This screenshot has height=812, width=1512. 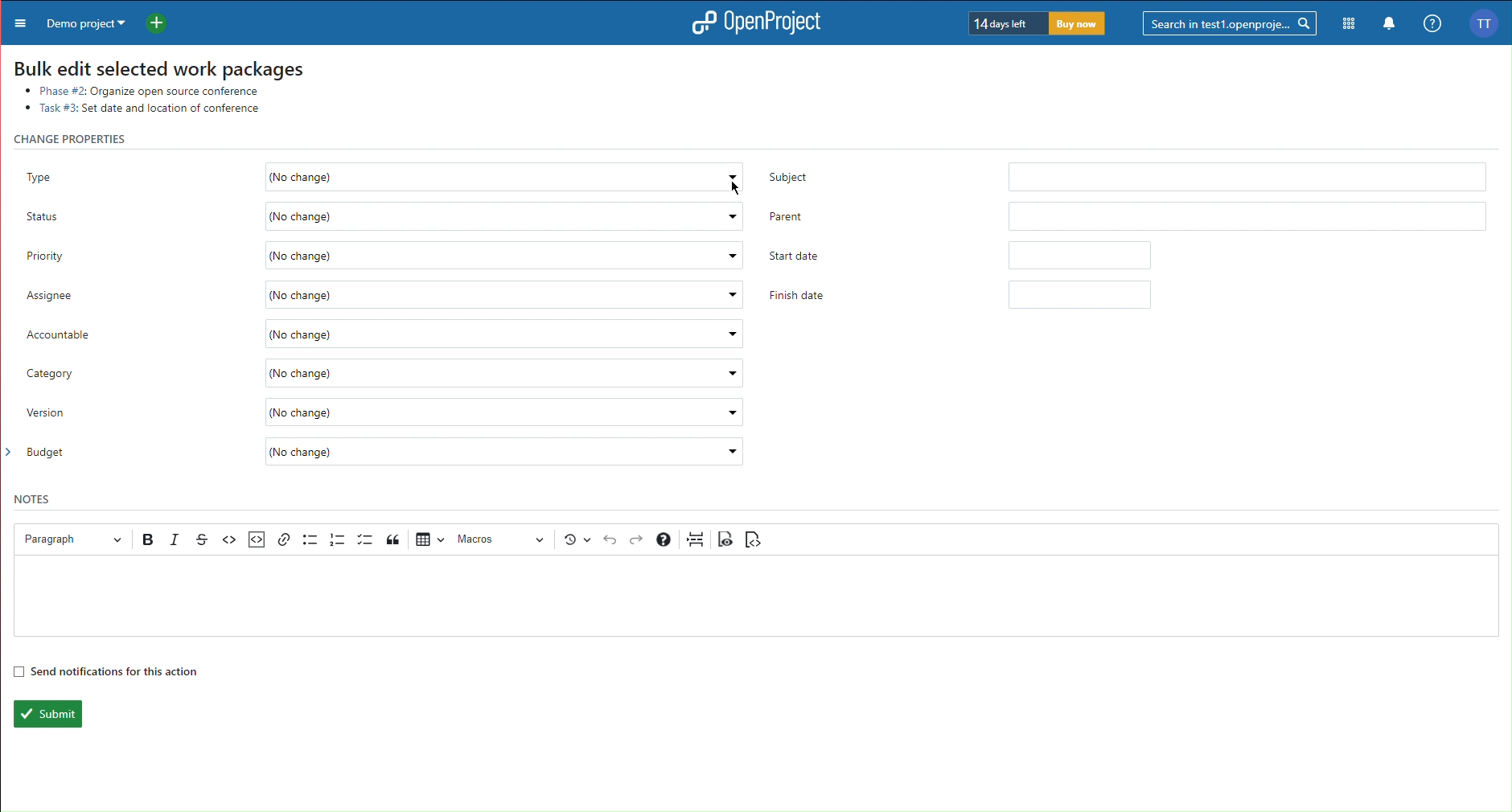 I want to click on Undo, so click(x=610, y=540).